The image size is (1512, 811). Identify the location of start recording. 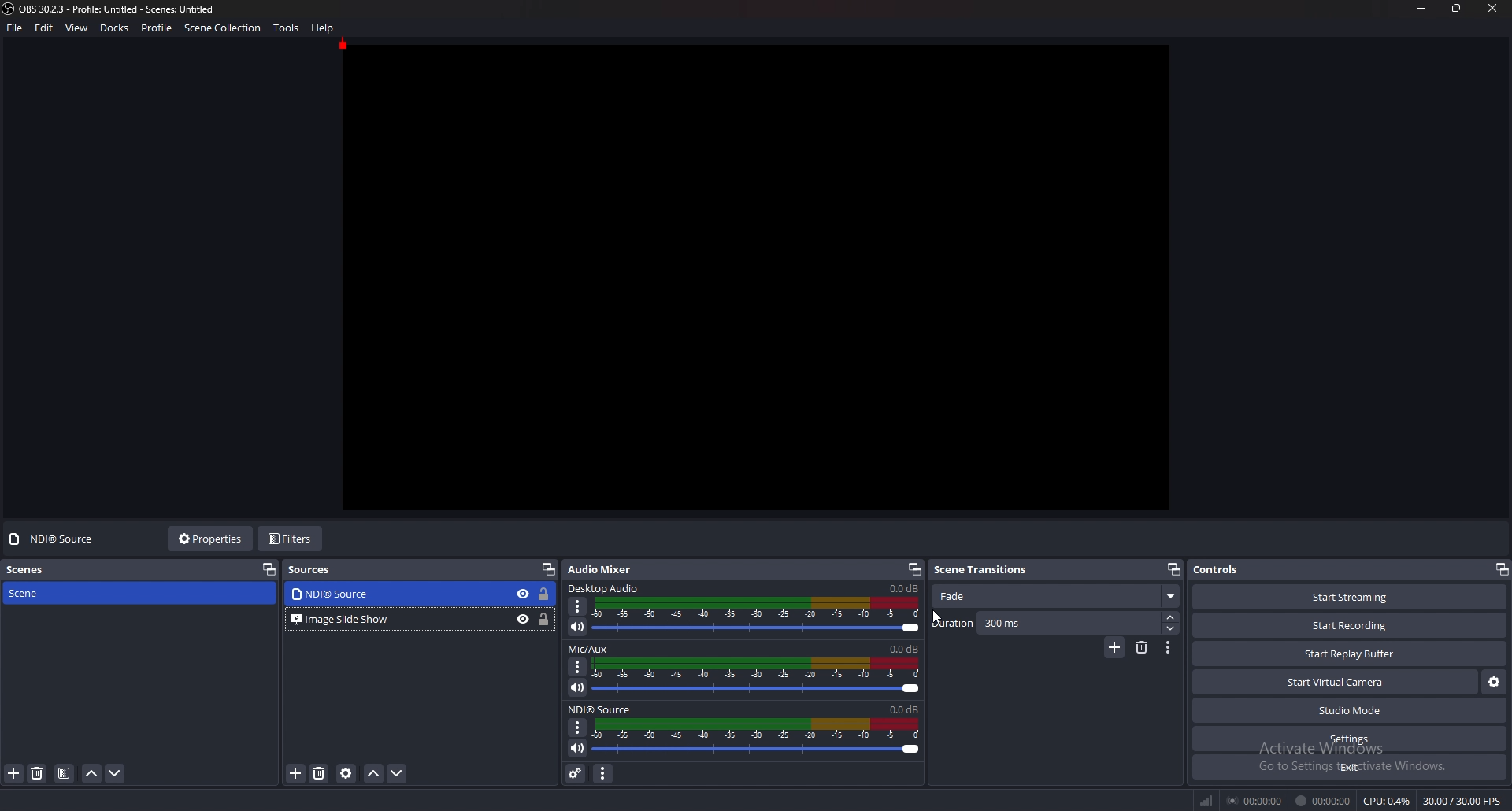
(1350, 625).